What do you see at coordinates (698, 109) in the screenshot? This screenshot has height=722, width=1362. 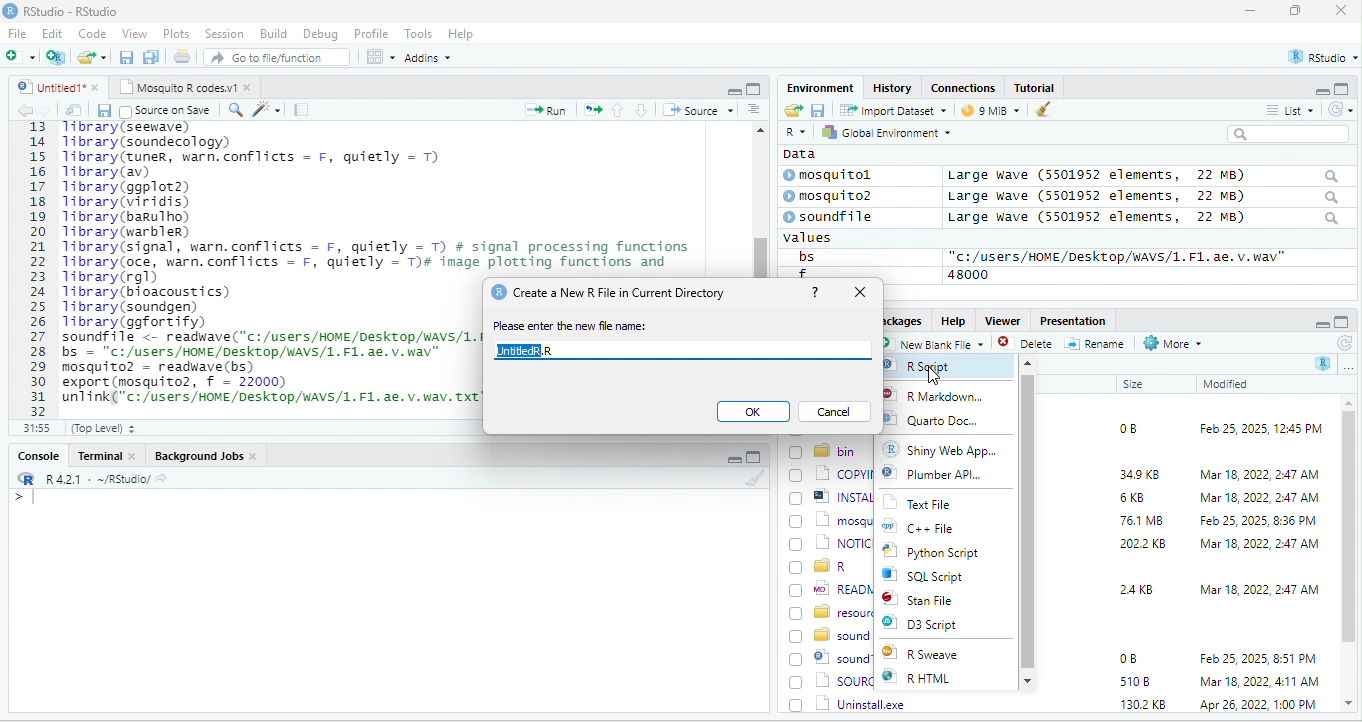 I see `+ Source +` at bounding box center [698, 109].